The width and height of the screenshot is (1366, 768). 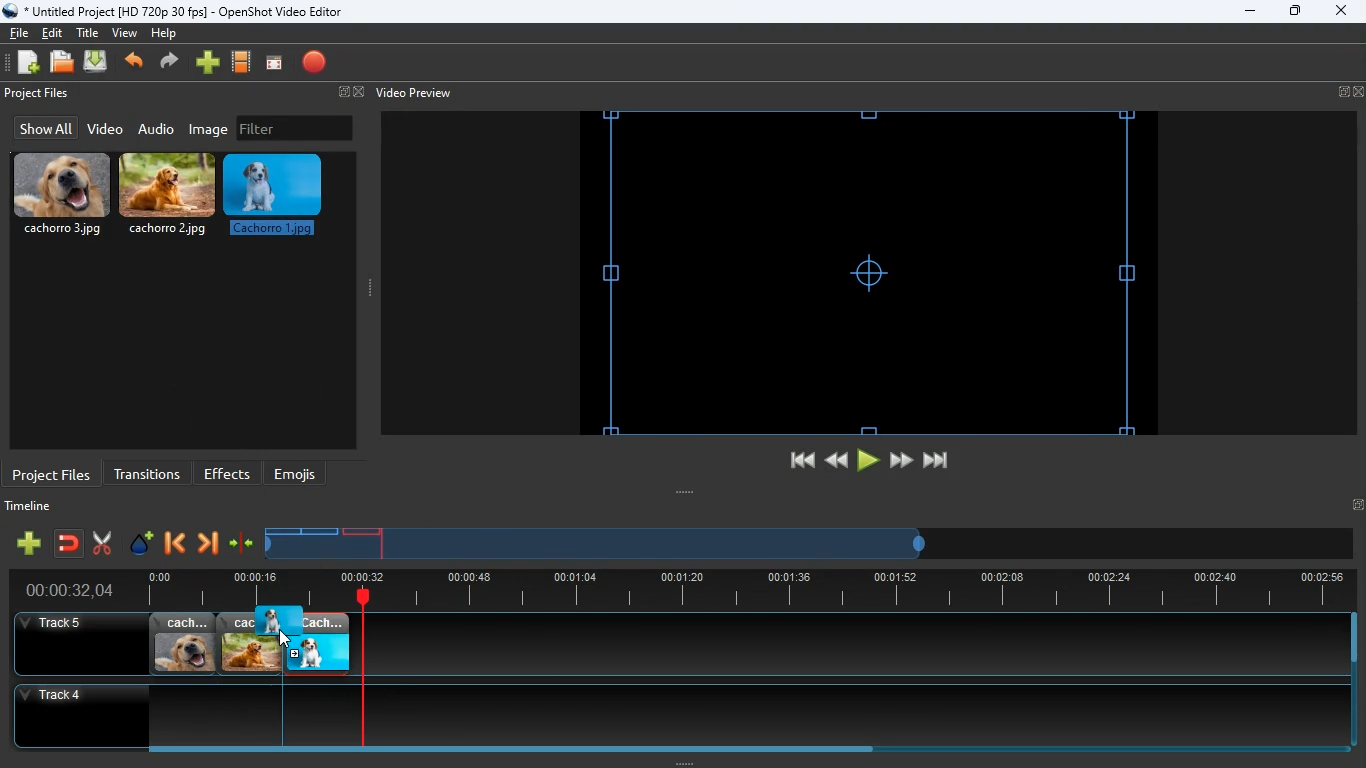 I want to click on audio, so click(x=157, y=128).